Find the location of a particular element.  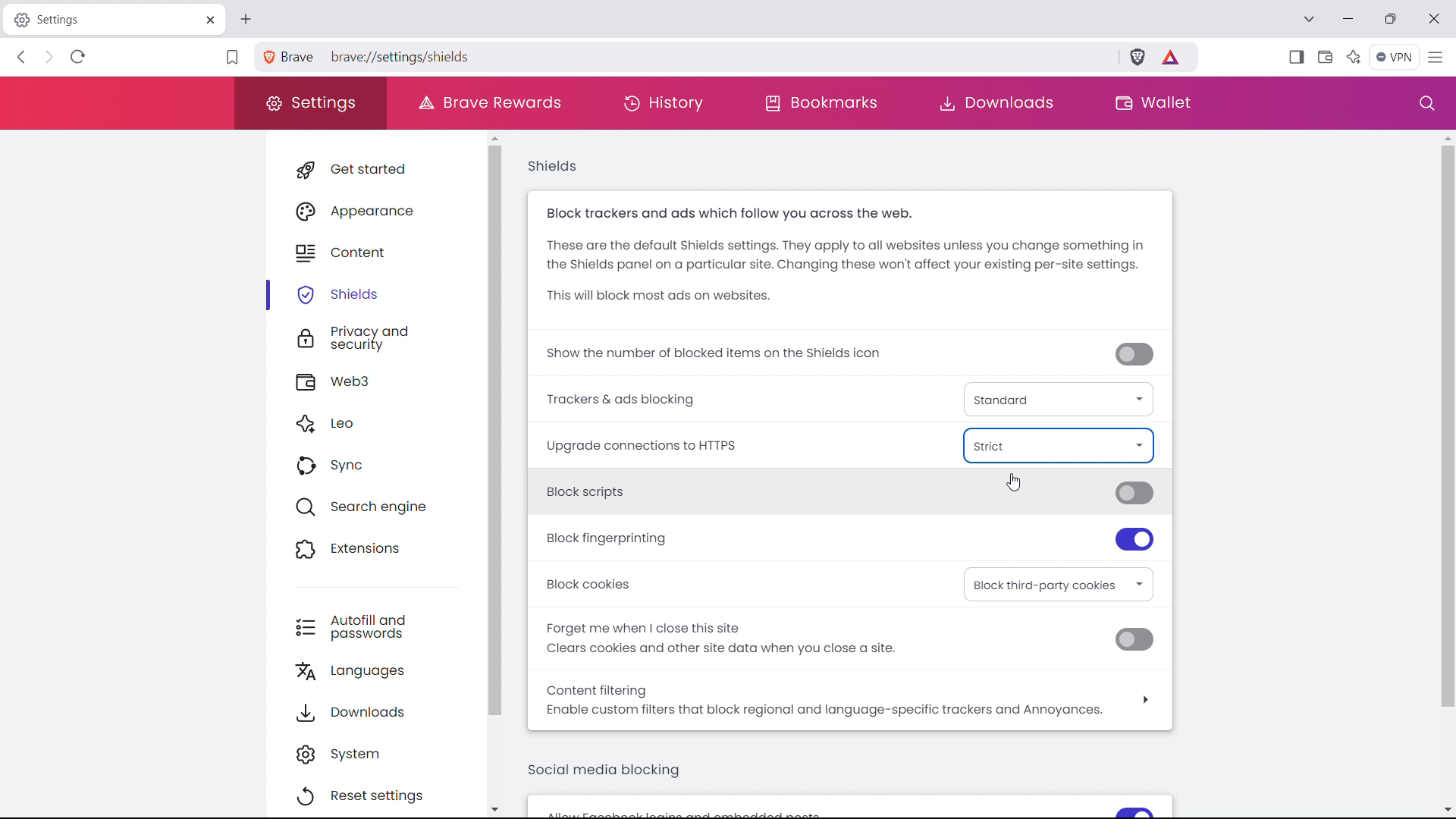

search in tabs is located at coordinates (1308, 17).